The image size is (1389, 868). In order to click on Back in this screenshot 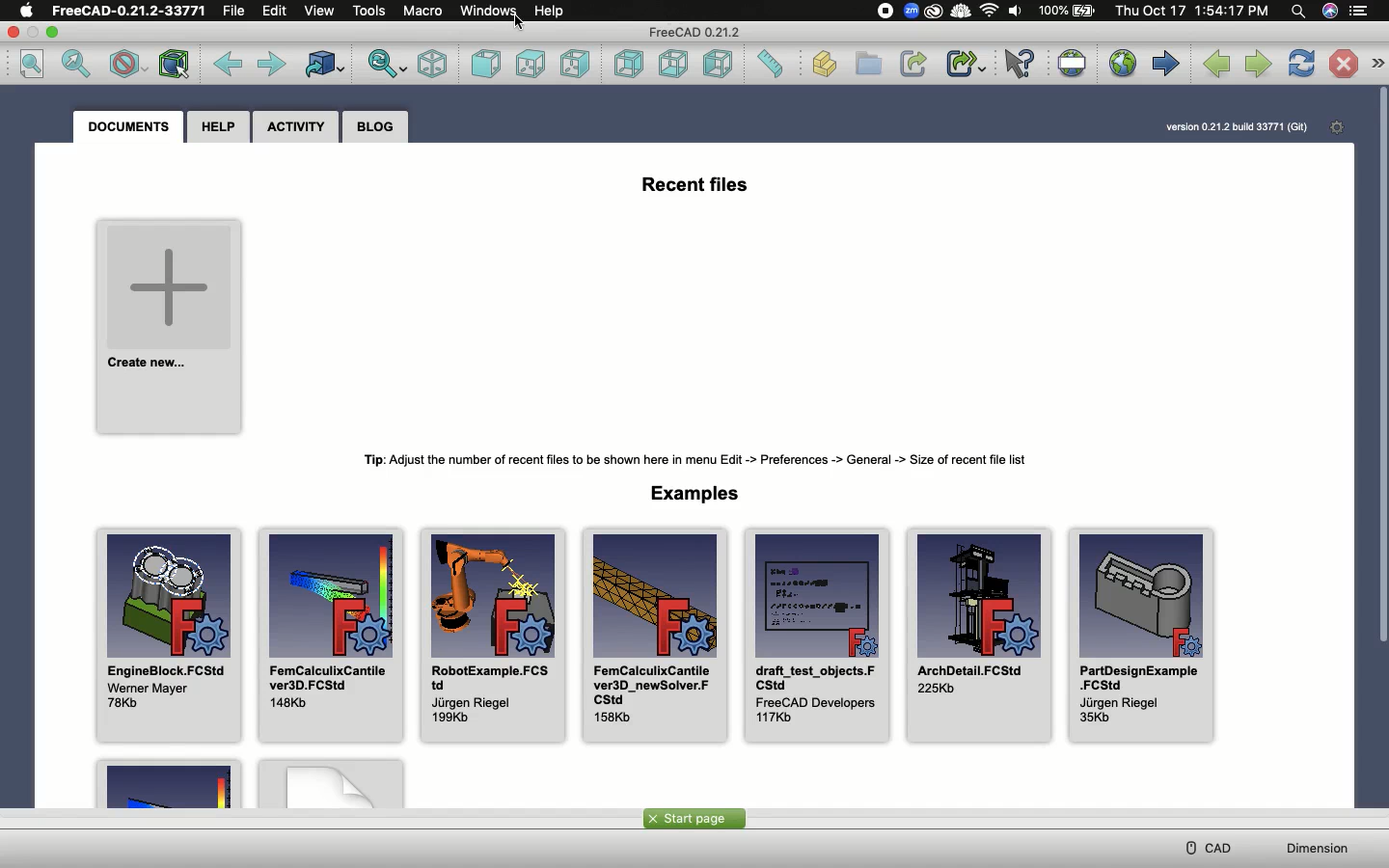, I will do `click(225, 64)`.